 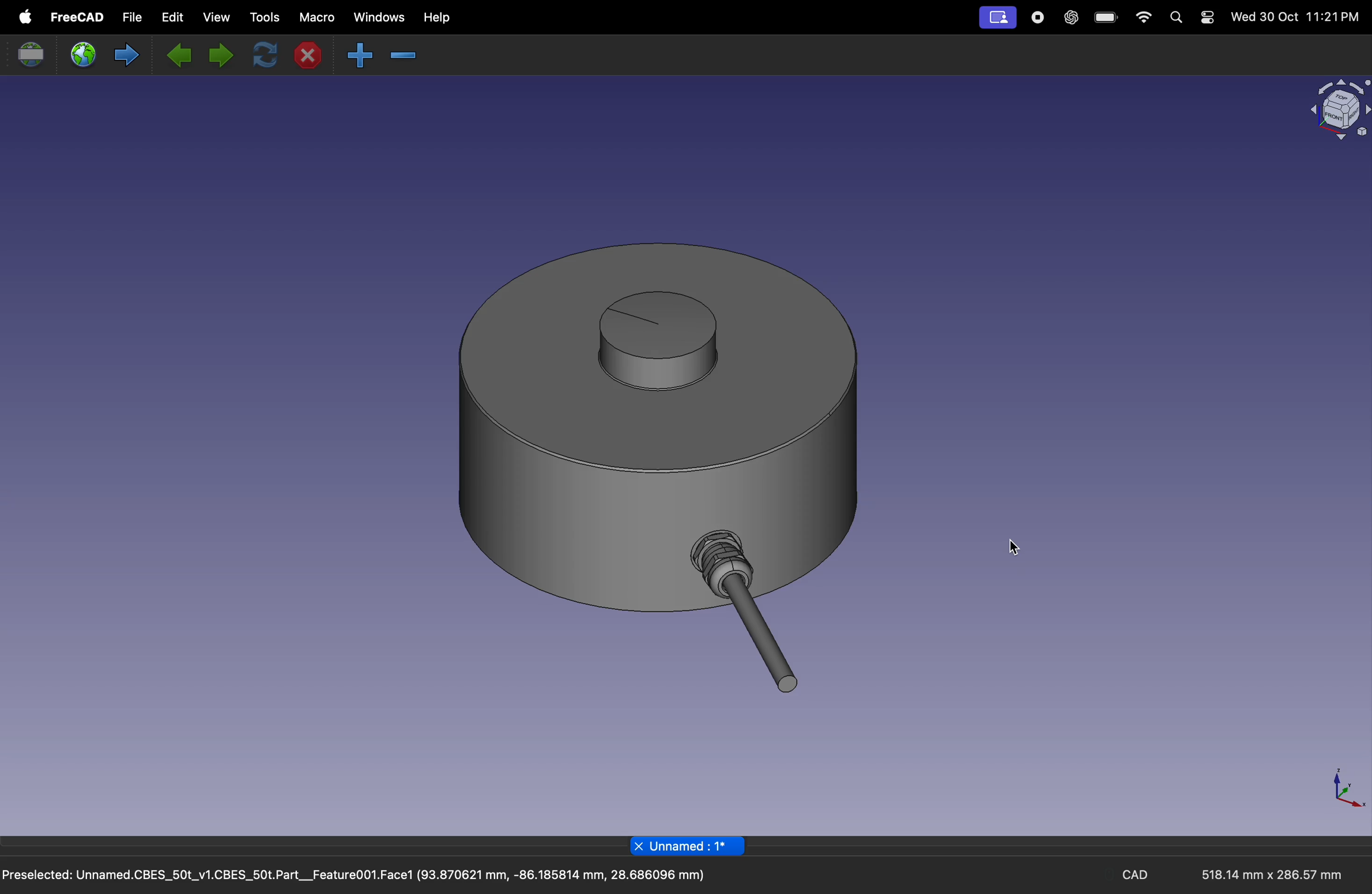 I want to click on apple menu, so click(x=24, y=16).